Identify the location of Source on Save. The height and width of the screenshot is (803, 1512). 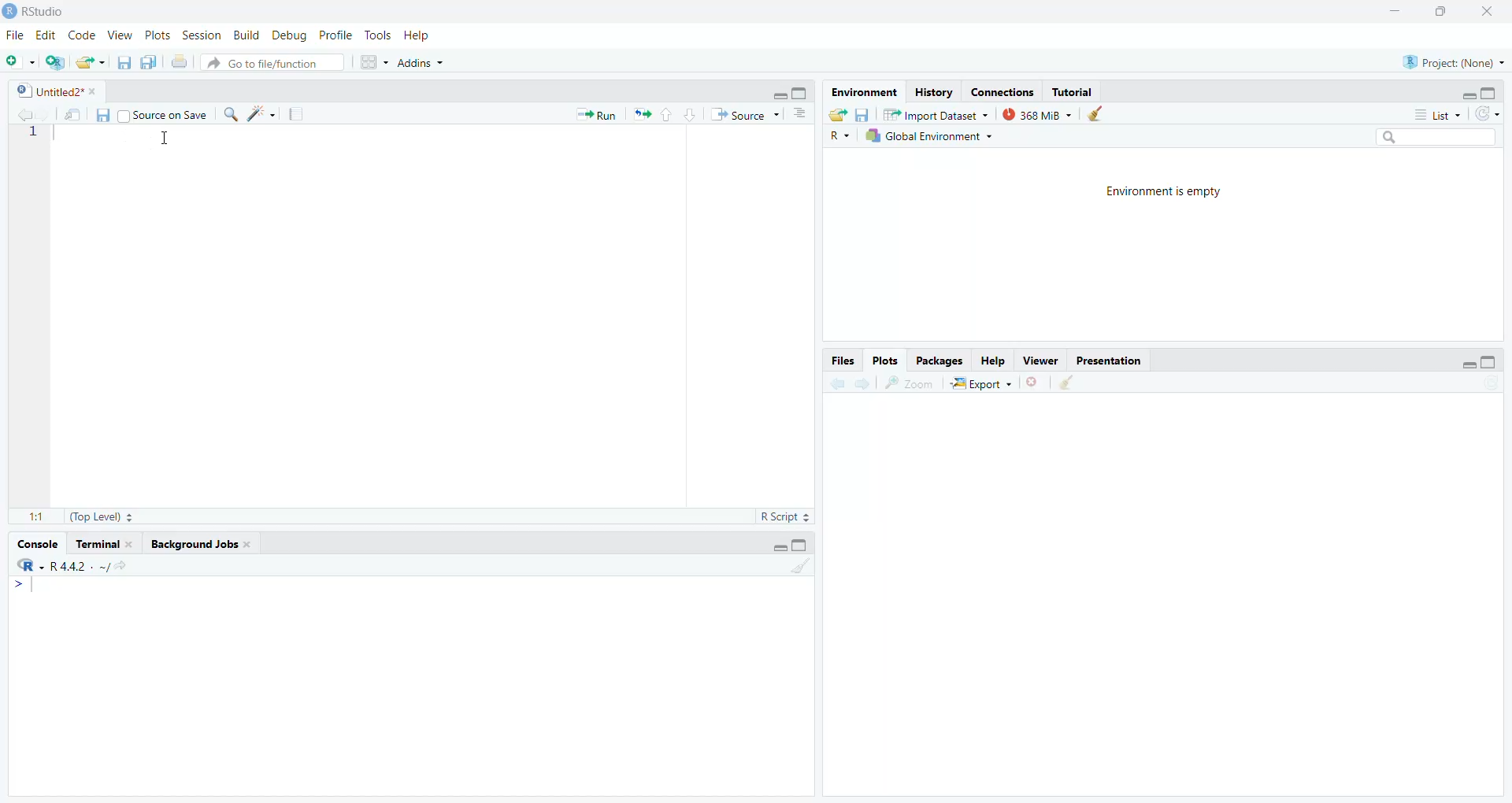
(169, 115).